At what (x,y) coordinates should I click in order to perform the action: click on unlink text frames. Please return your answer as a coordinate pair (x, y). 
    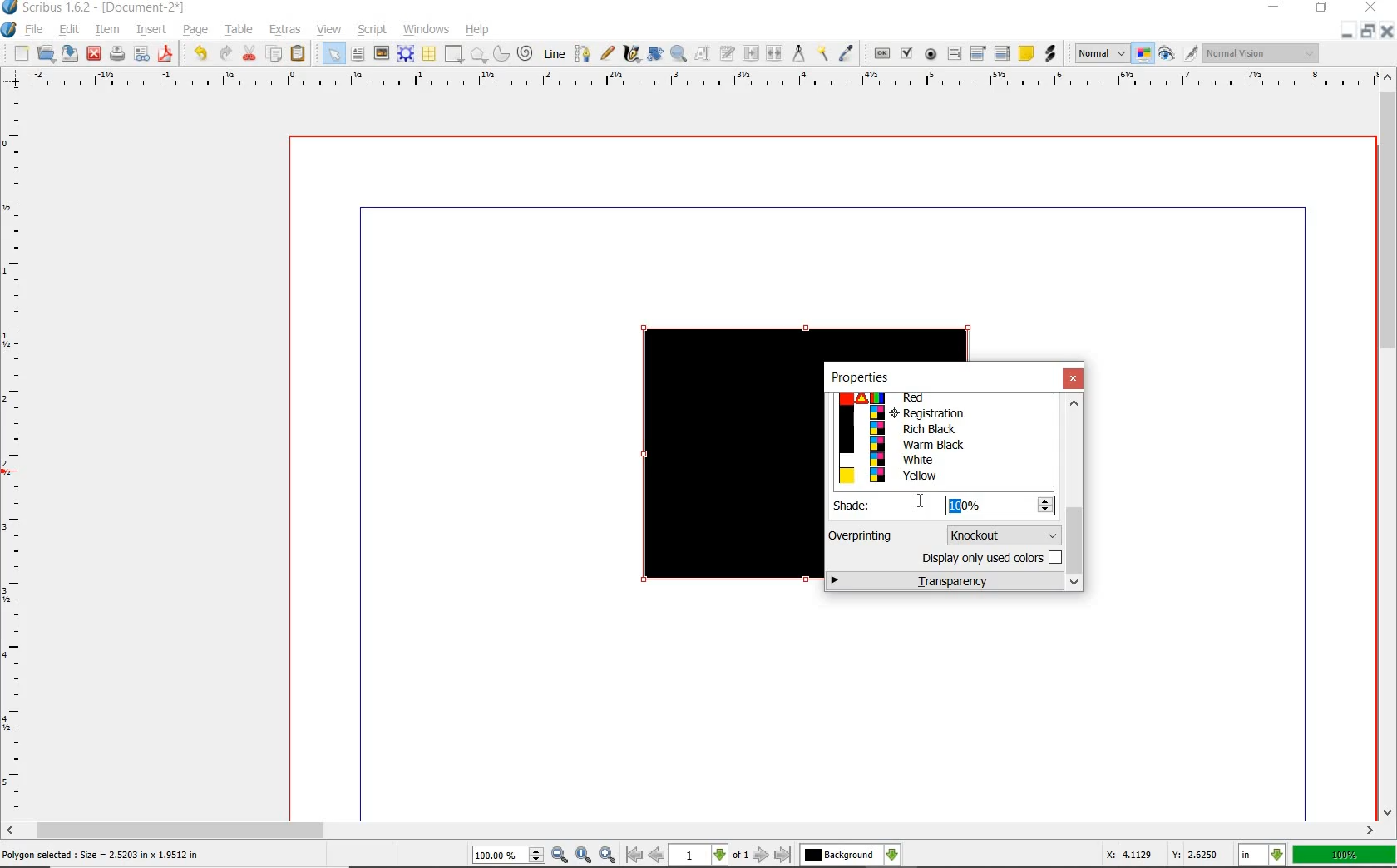
    Looking at the image, I should click on (775, 55).